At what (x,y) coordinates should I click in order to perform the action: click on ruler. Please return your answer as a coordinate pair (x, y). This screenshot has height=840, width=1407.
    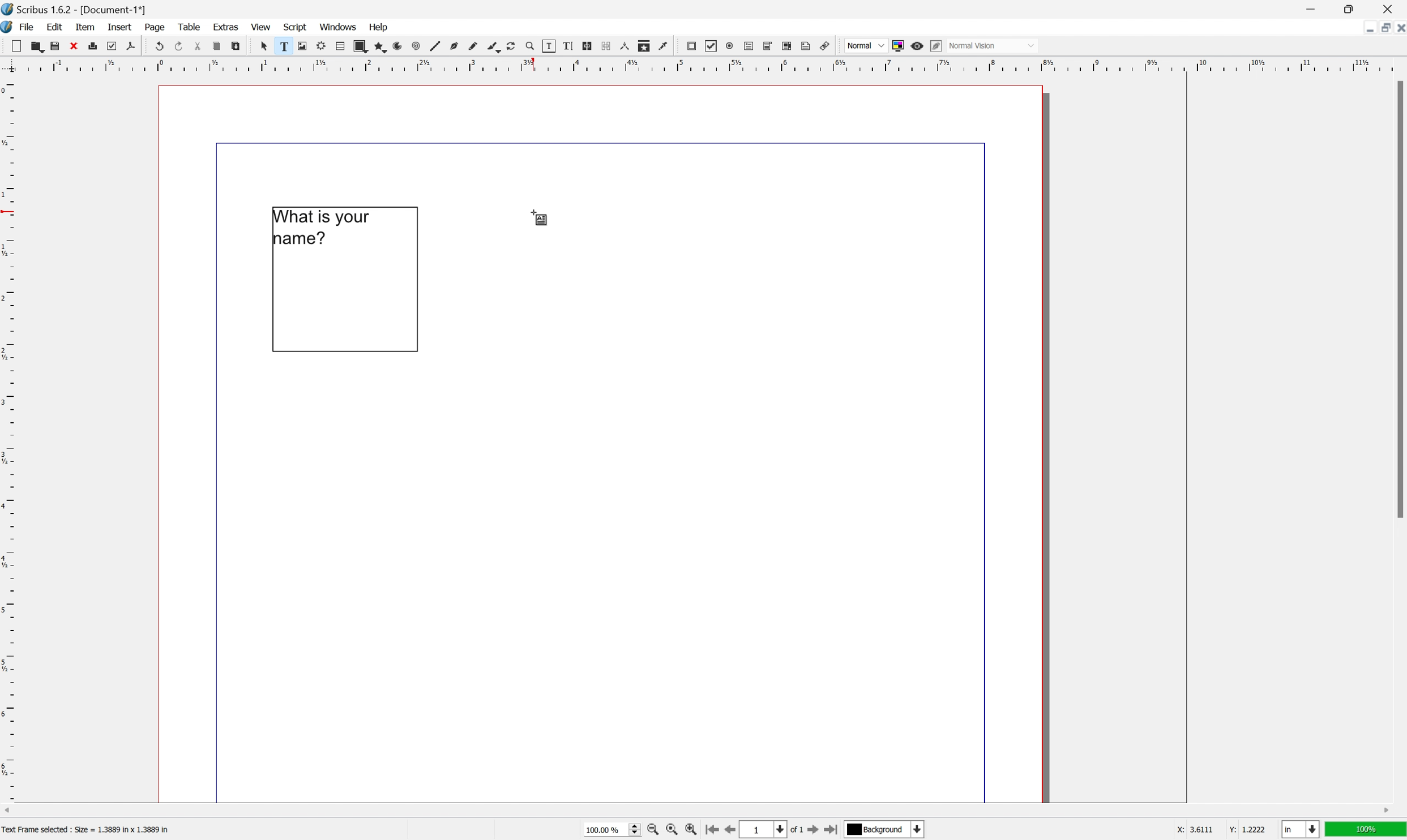
    Looking at the image, I should click on (9, 438).